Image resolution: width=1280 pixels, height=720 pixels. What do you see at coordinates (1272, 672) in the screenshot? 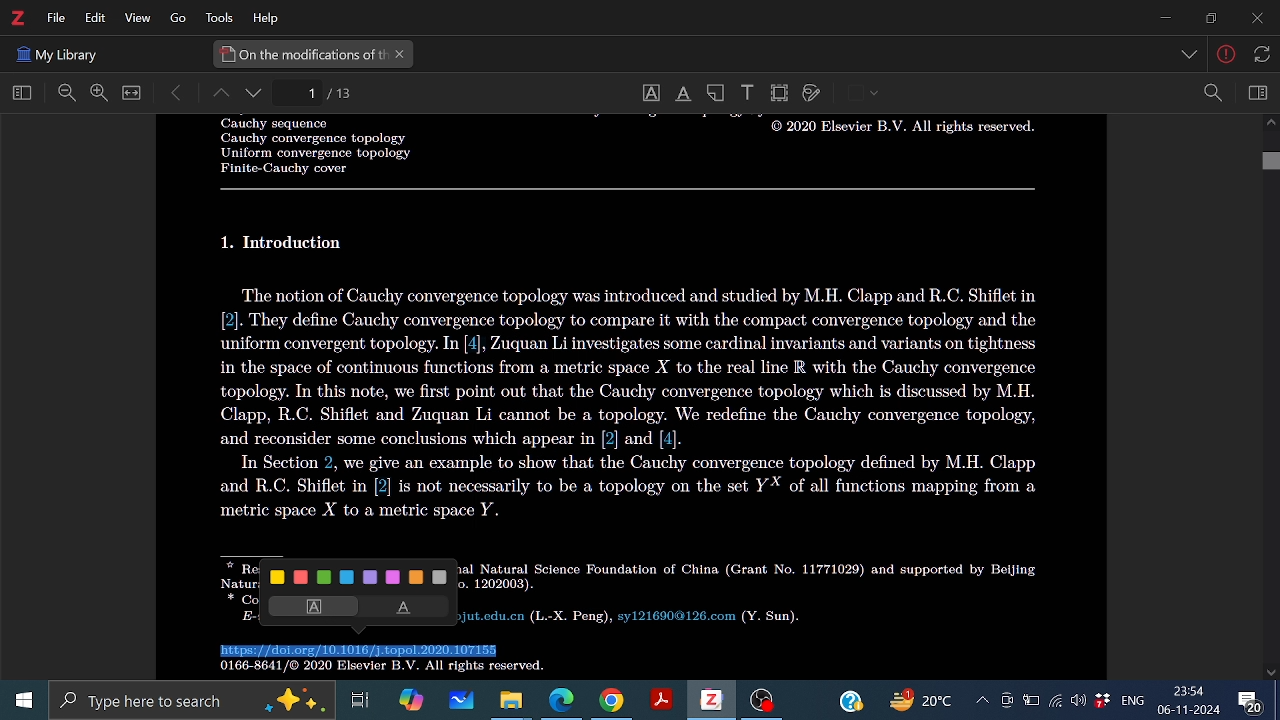
I see `Move down` at bounding box center [1272, 672].